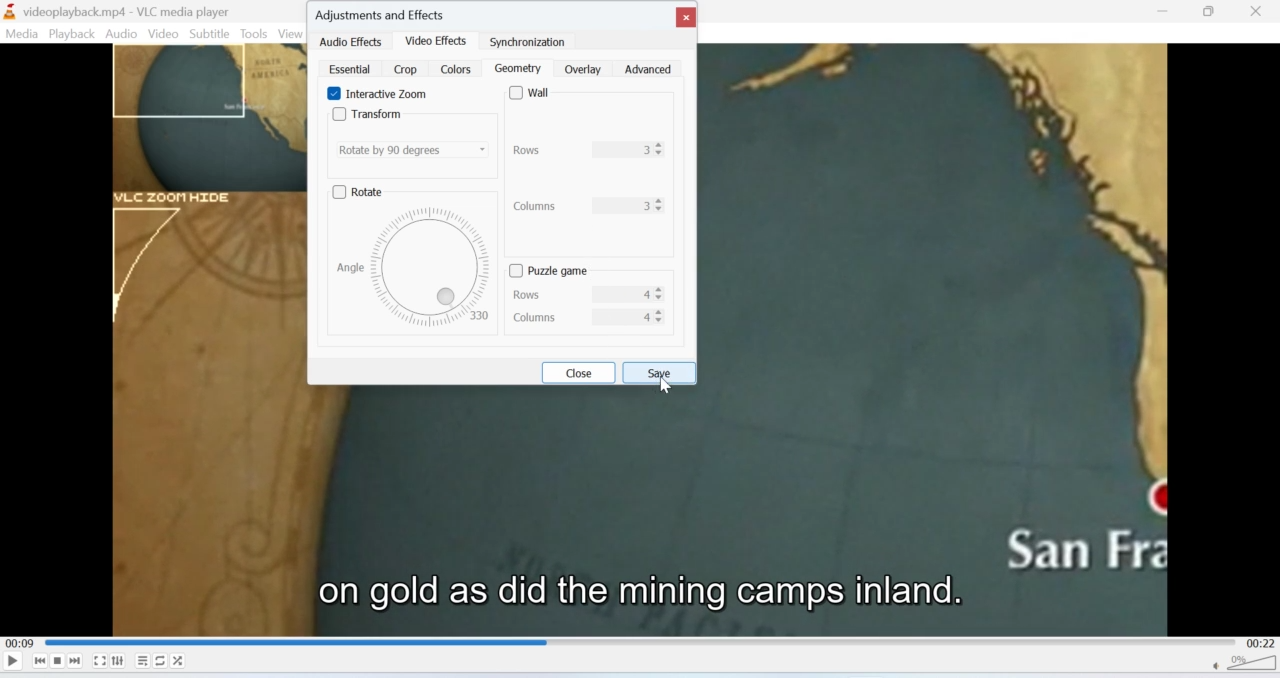 The height and width of the screenshot is (678, 1280). What do you see at coordinates (20, 34) in the screenshot?
I see `Media` at bounding box center [20, 34].